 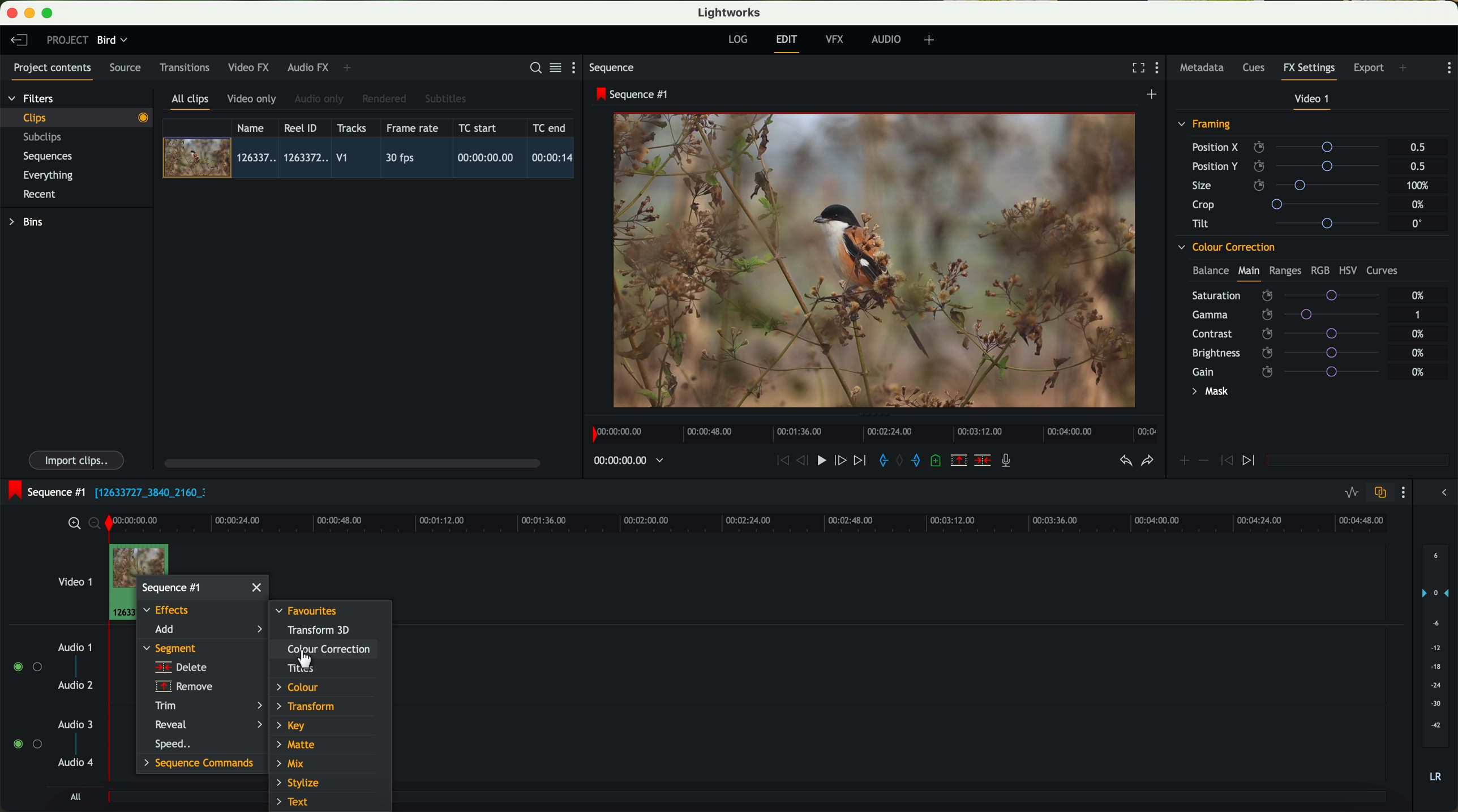 I want to click on colour correction, so click(x=1225, y=247).